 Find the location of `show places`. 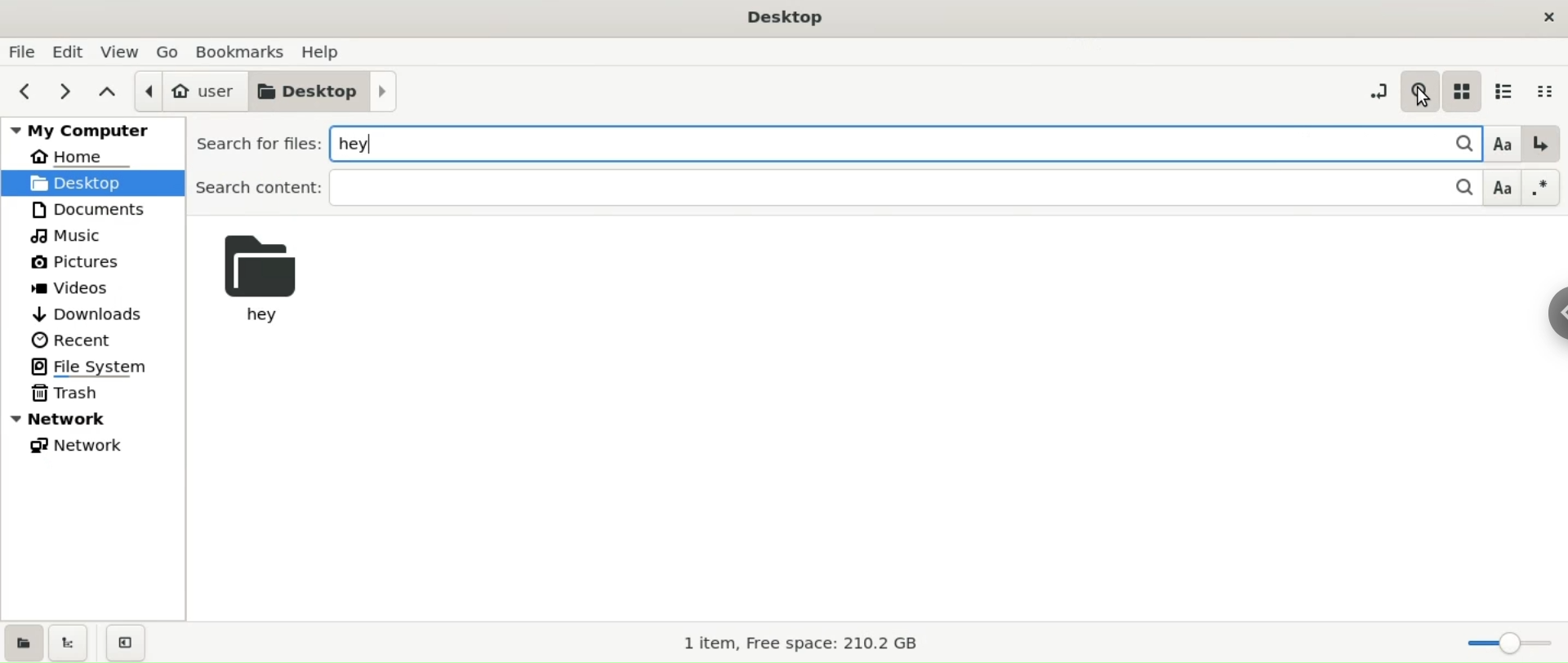

show places is located at coordinates (23, 642).